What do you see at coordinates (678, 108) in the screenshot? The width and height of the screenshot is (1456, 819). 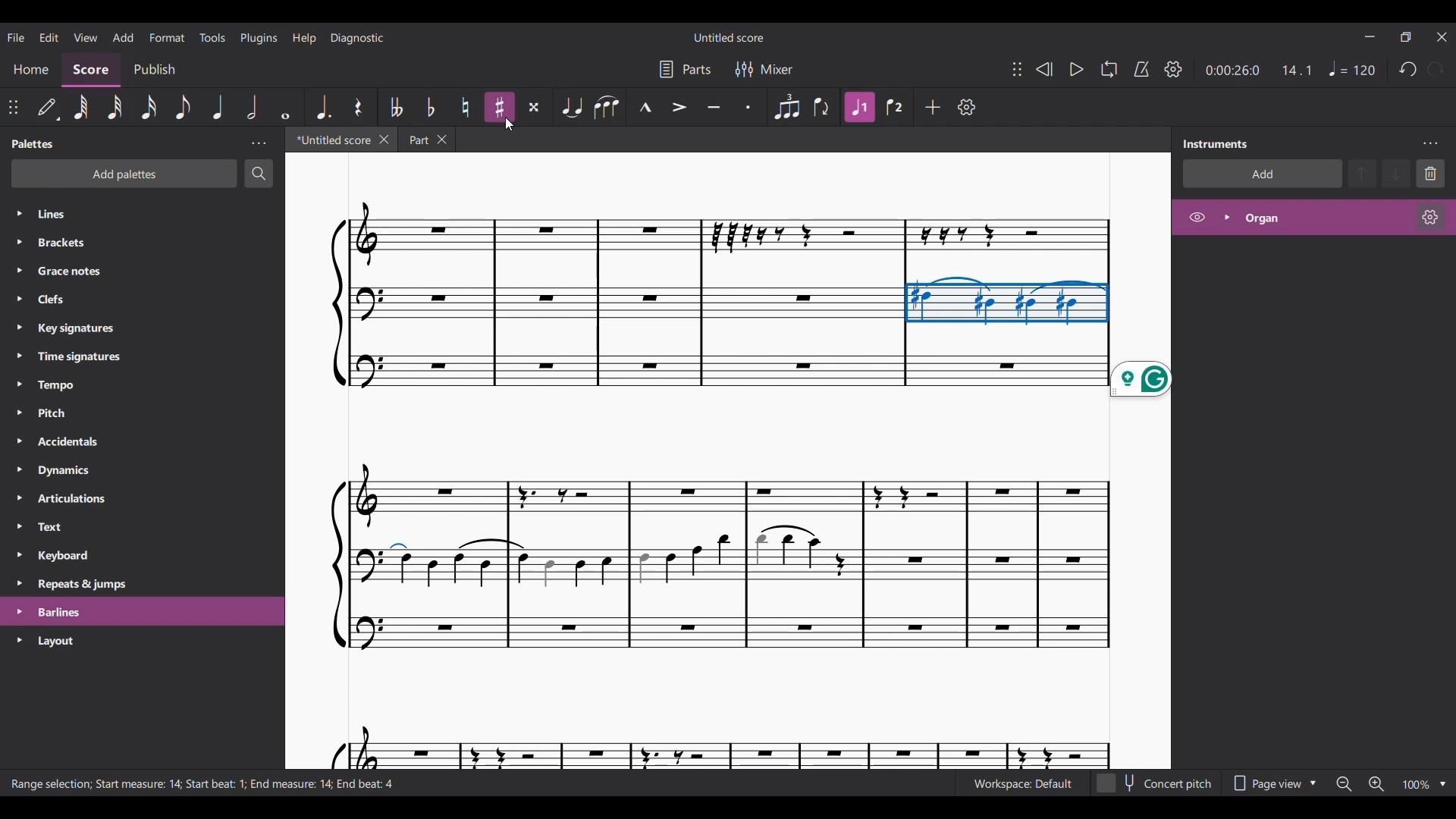 I see `Accent` at bounding box center [678, 108].